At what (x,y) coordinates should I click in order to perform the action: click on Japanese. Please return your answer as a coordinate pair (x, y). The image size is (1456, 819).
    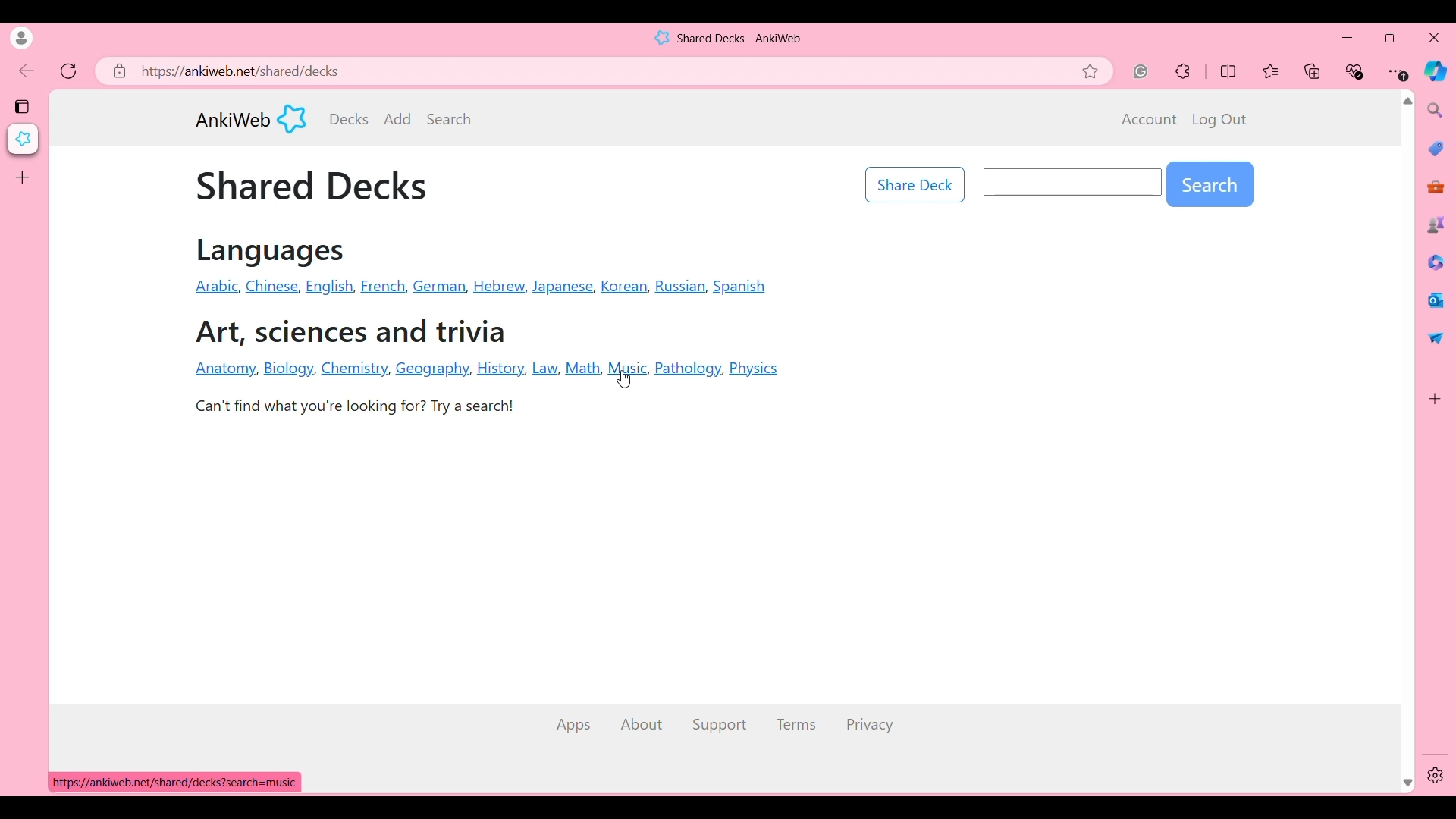
    Looking at the image, I should click on (560, 287).